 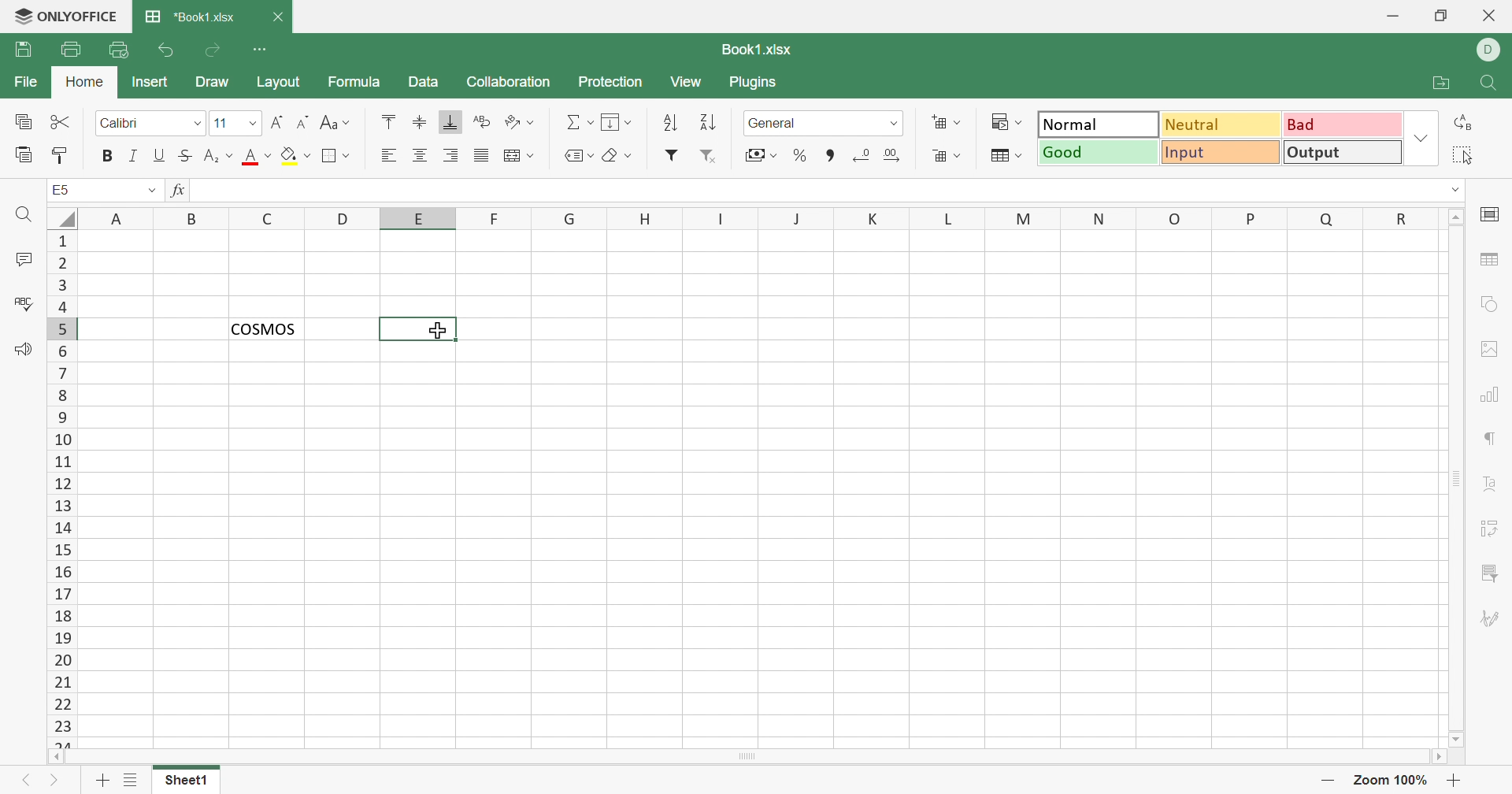 What do you see at coordinates (712, 123) in the screenshot?
I see `Sort descending` at bounding box center [712, 123].